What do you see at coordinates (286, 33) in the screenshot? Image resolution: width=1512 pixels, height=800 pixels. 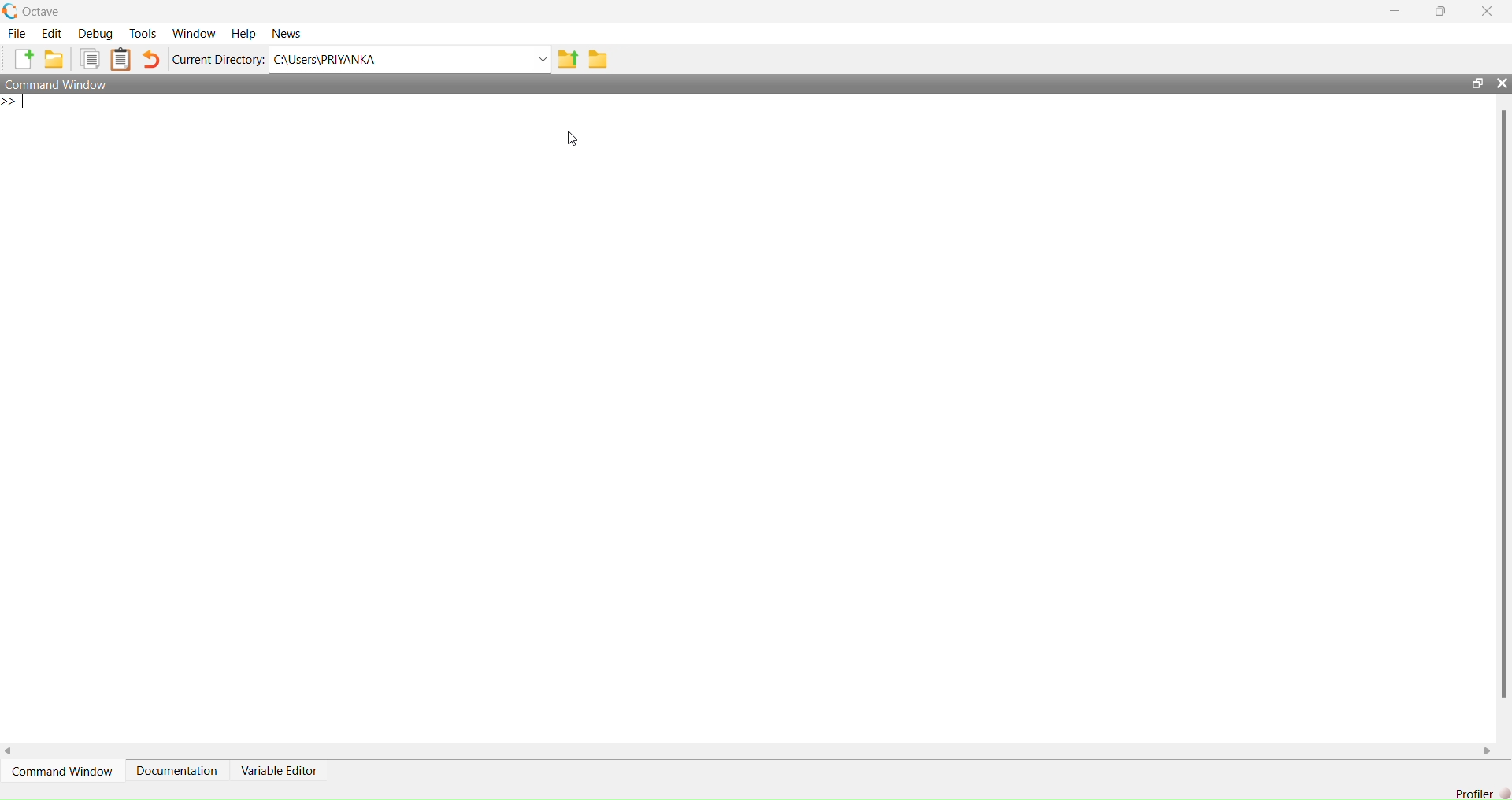 I see `News` at bounding box center [286, 33].